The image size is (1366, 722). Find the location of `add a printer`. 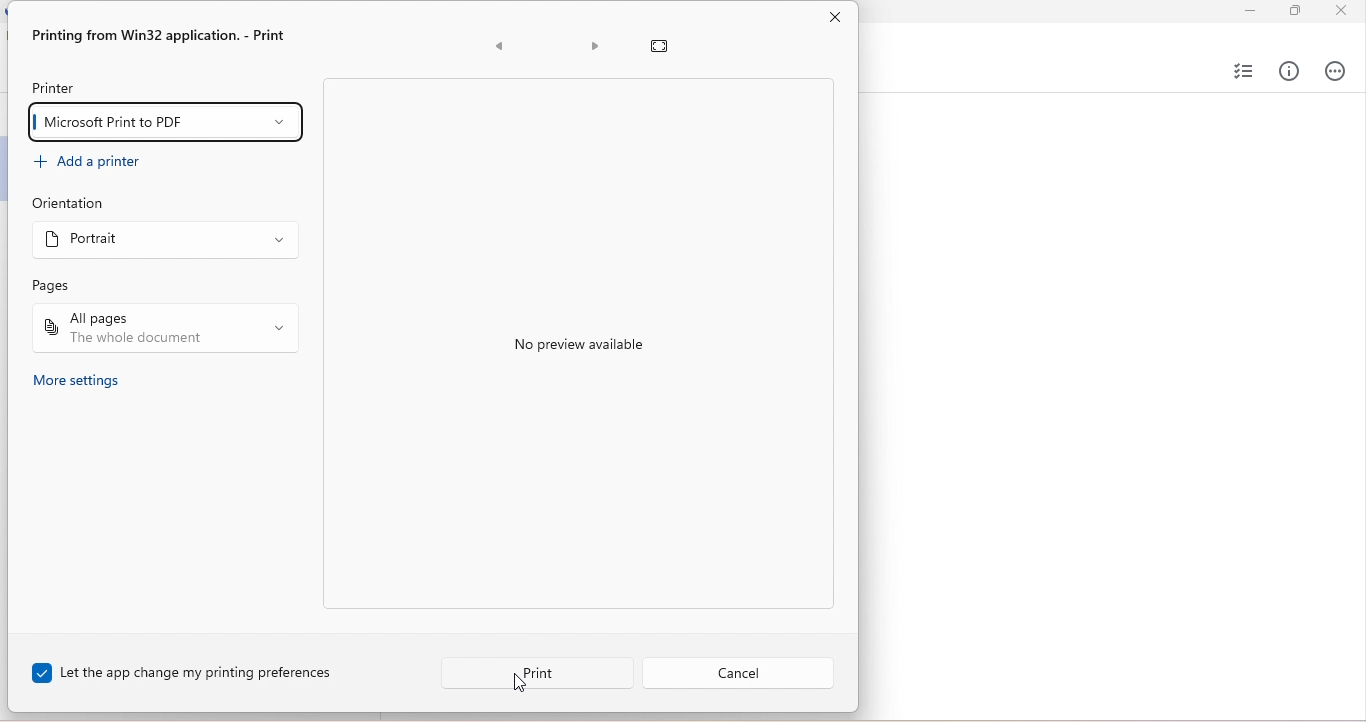

add a printer is located at coordinates (87, 162).